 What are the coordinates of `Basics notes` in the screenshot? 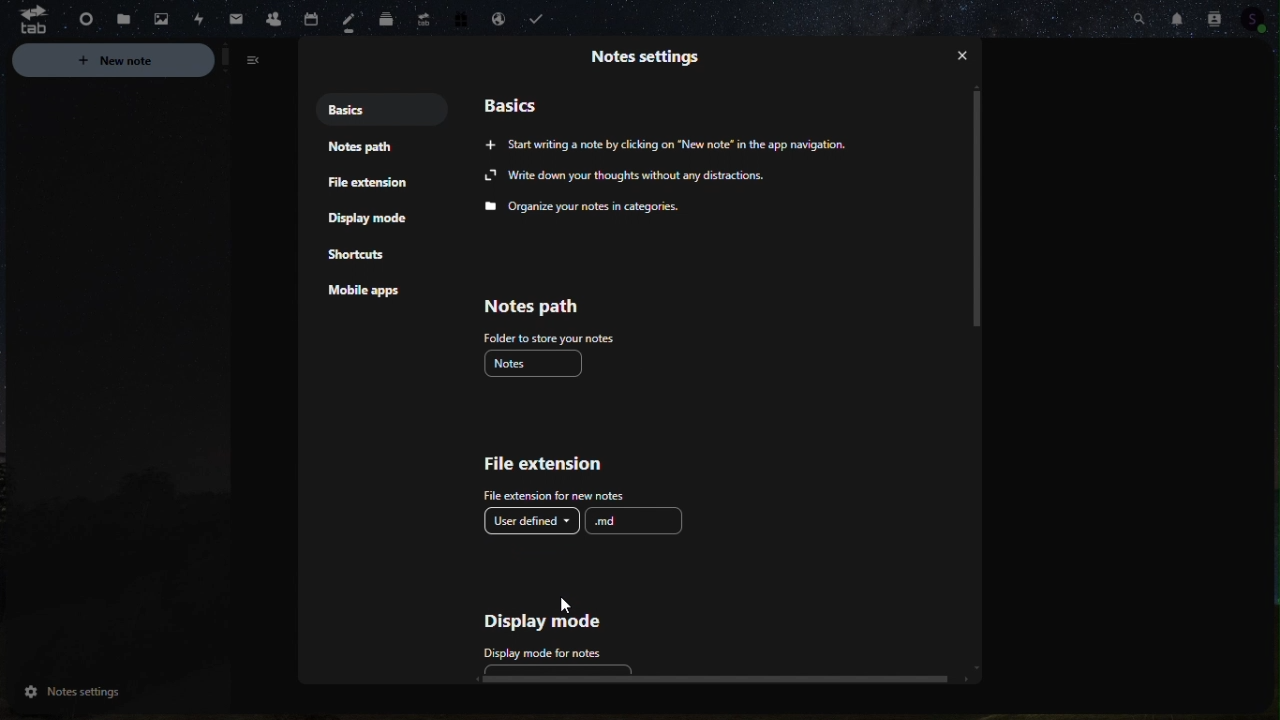 It's located at (357, 108).